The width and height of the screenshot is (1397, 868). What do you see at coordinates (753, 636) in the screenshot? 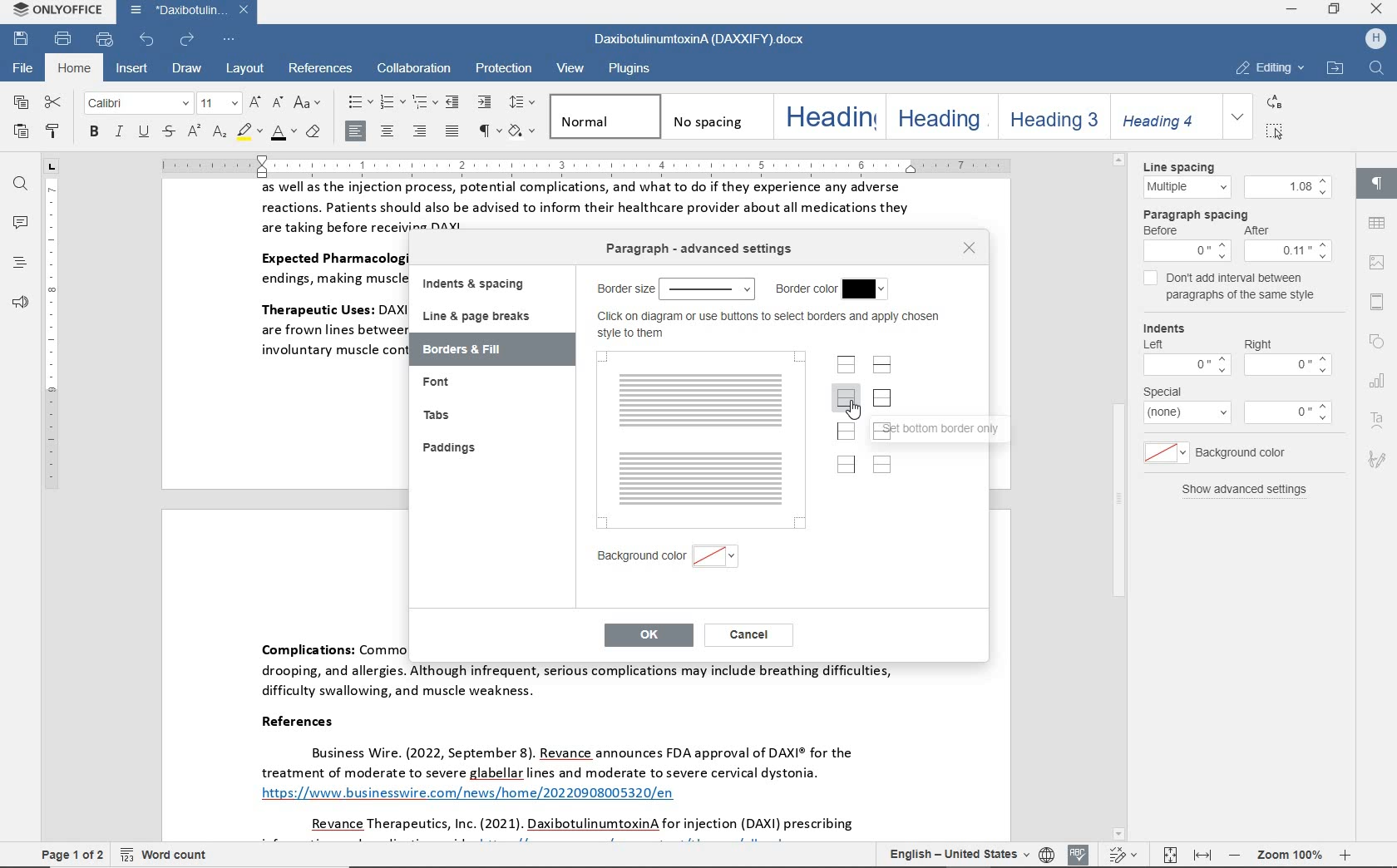
I see `cancel` at bounding box center [753, 636].